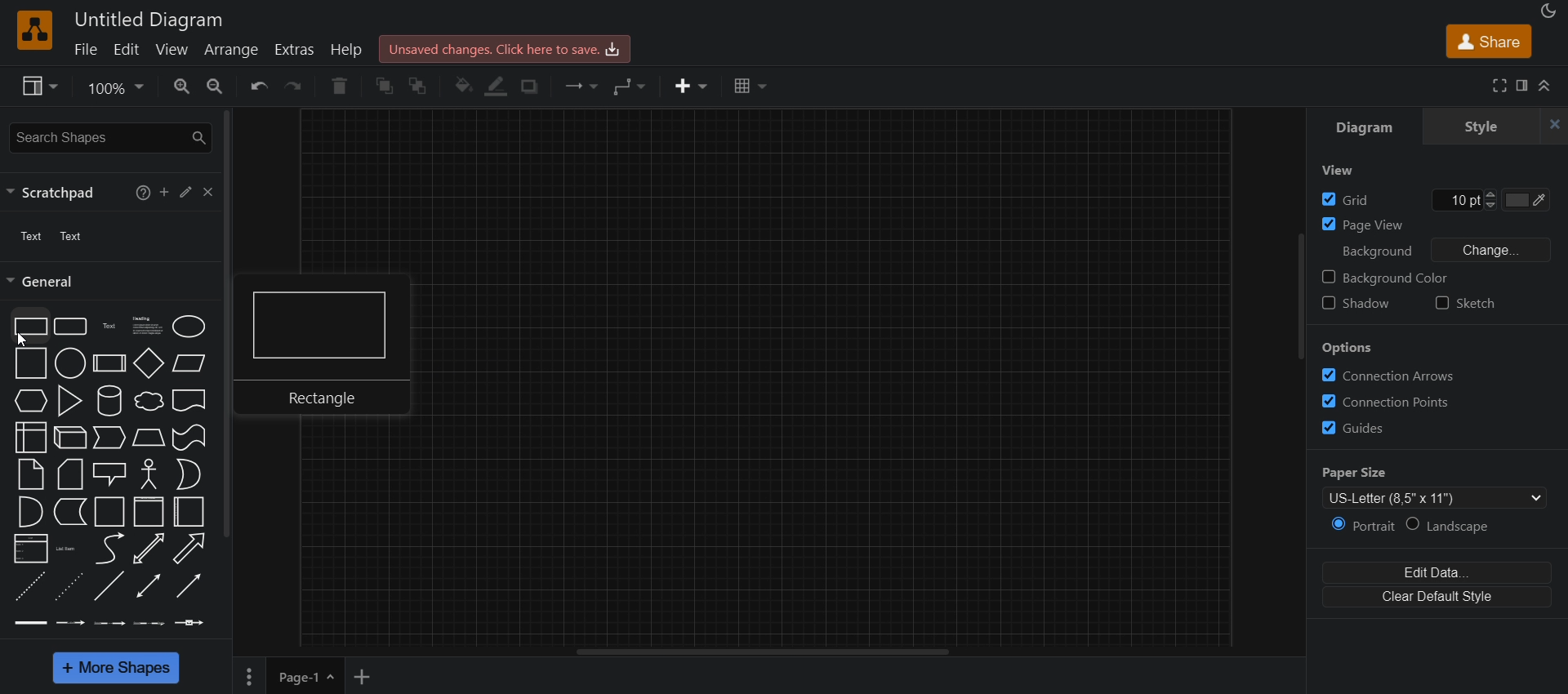 The width and height of the screenshot is (1568, 694). I want to click on diagram, so click(1365, 127).